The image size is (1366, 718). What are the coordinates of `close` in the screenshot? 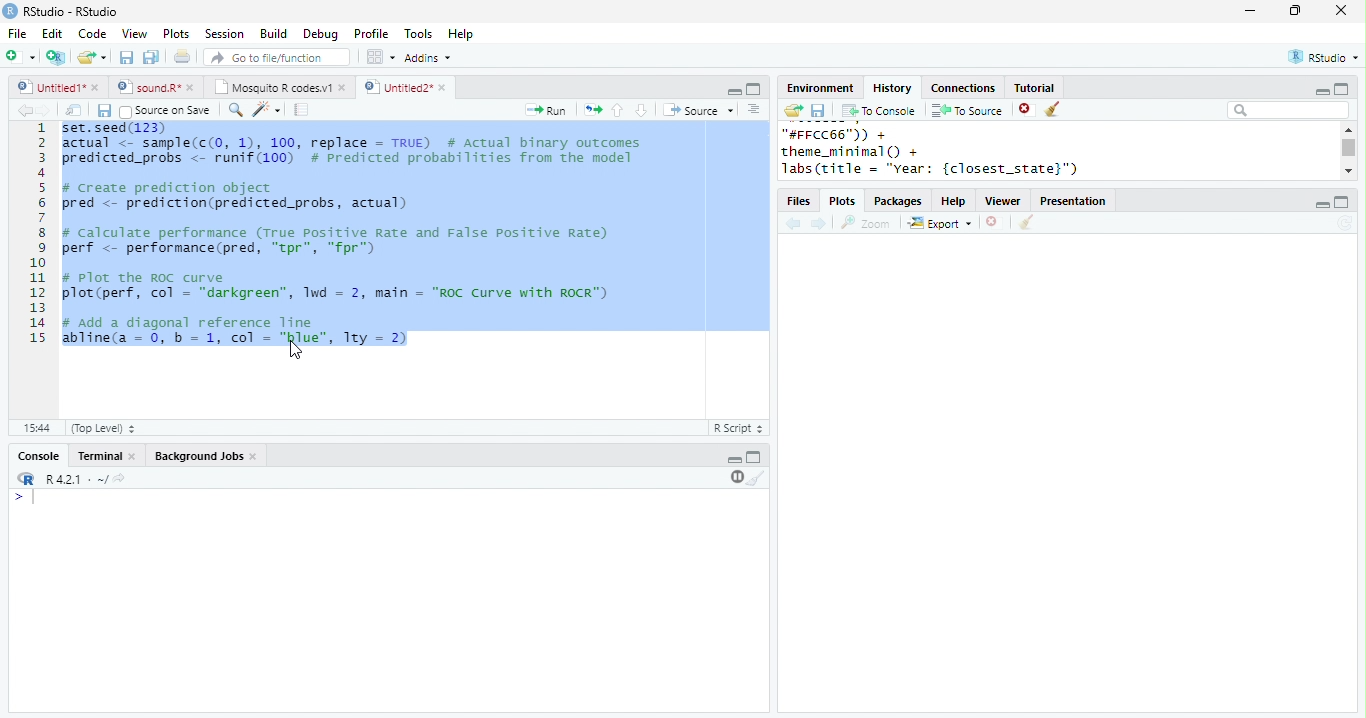 It's located at (134, 457).